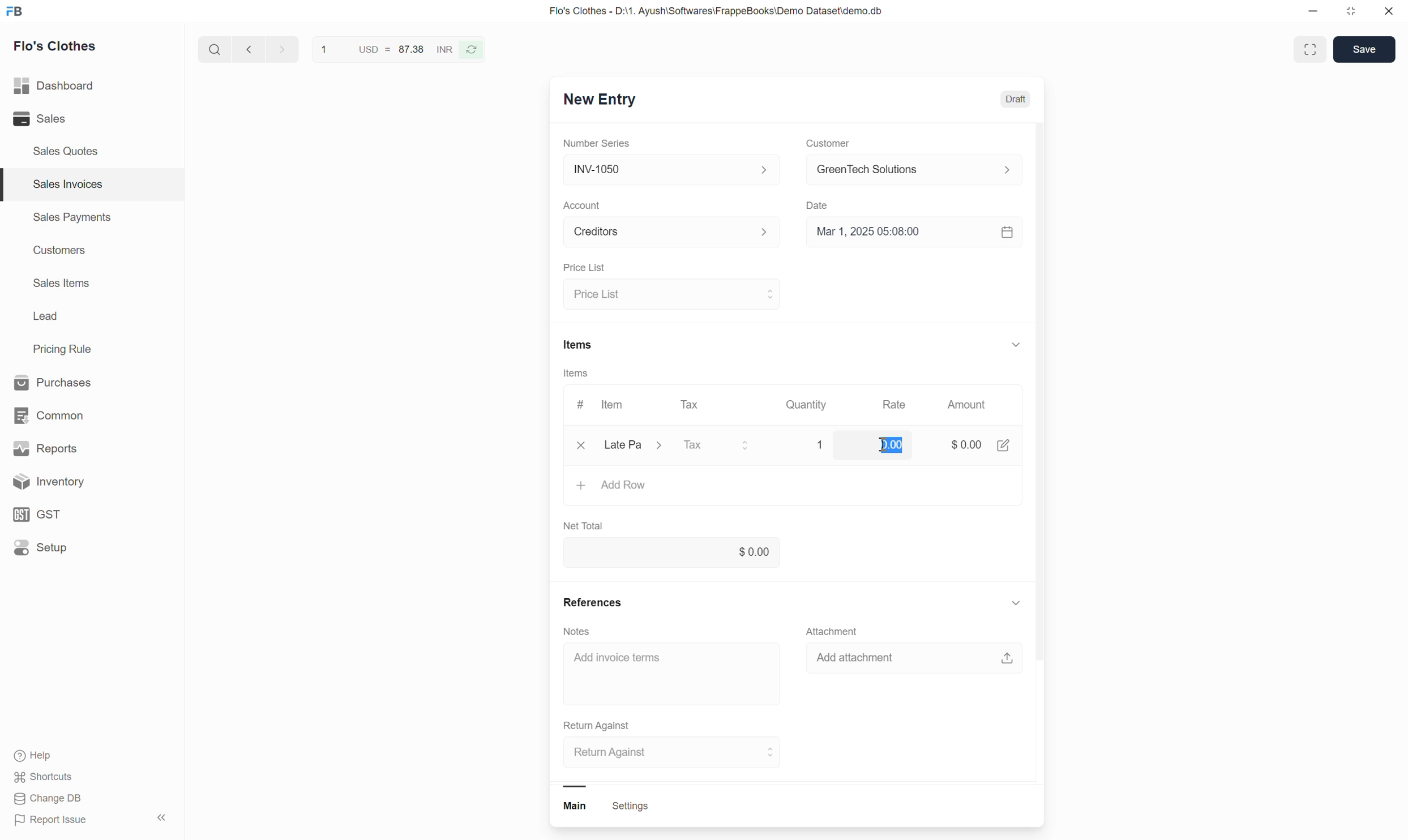  Describe the element at coordinates (76, 447) in the screenshot. I see `Reports ` at that location.